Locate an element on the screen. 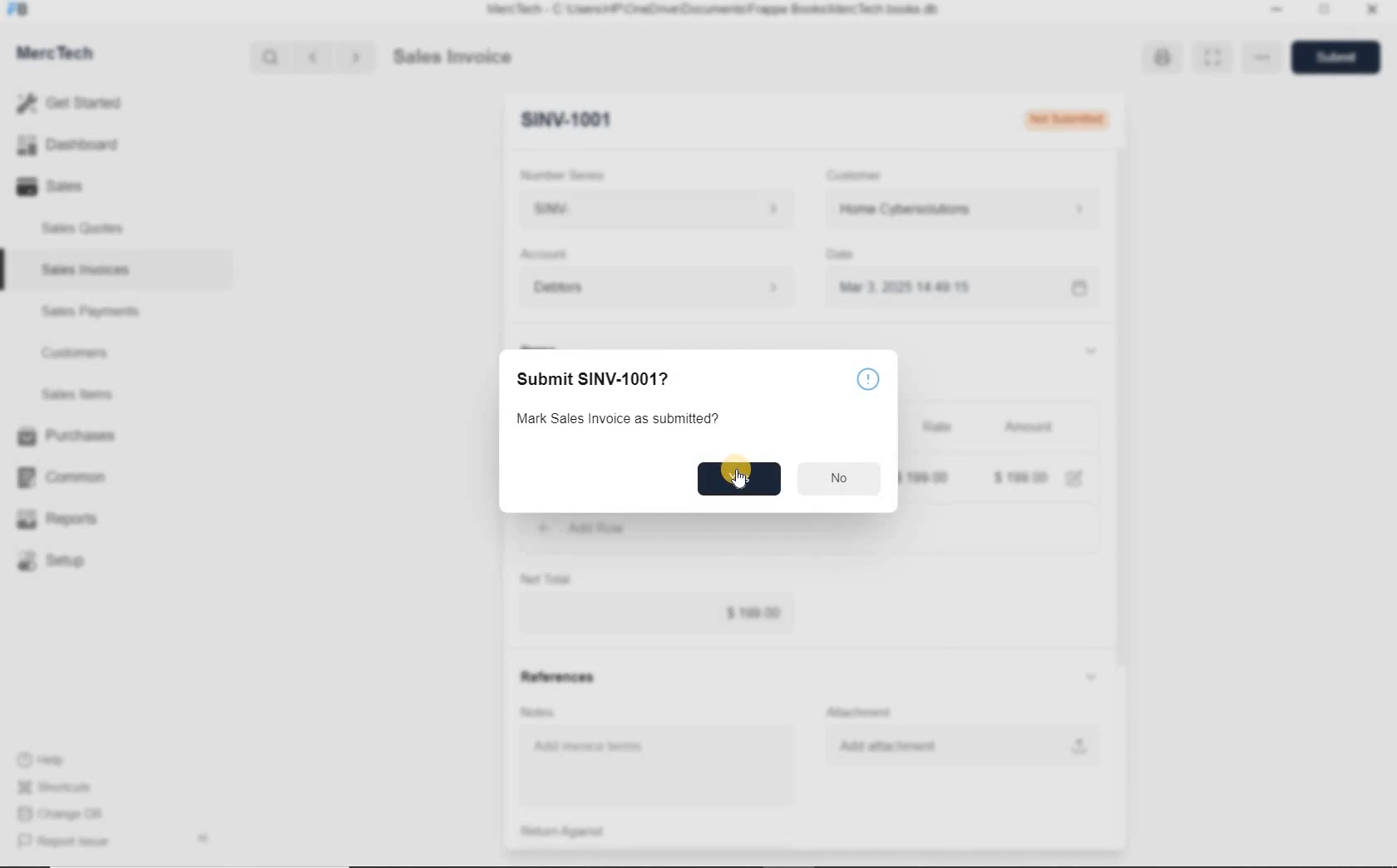 This screenshot has height=868, width=1397. Account is located at coordinates (548, 254).